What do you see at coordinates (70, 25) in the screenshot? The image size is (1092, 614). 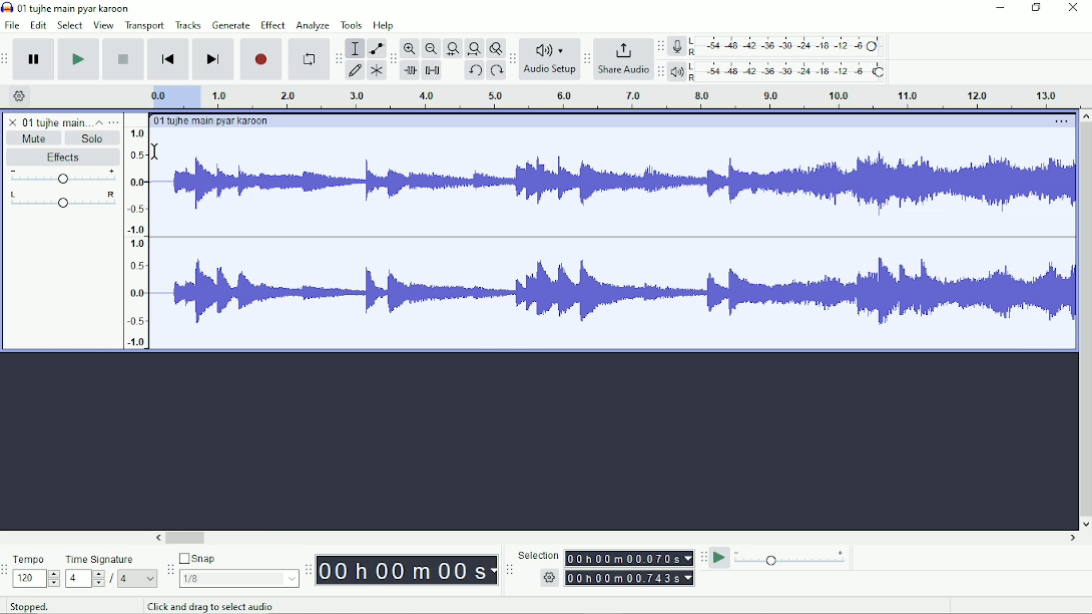 I see `Select` at bounding box center [70, 25].